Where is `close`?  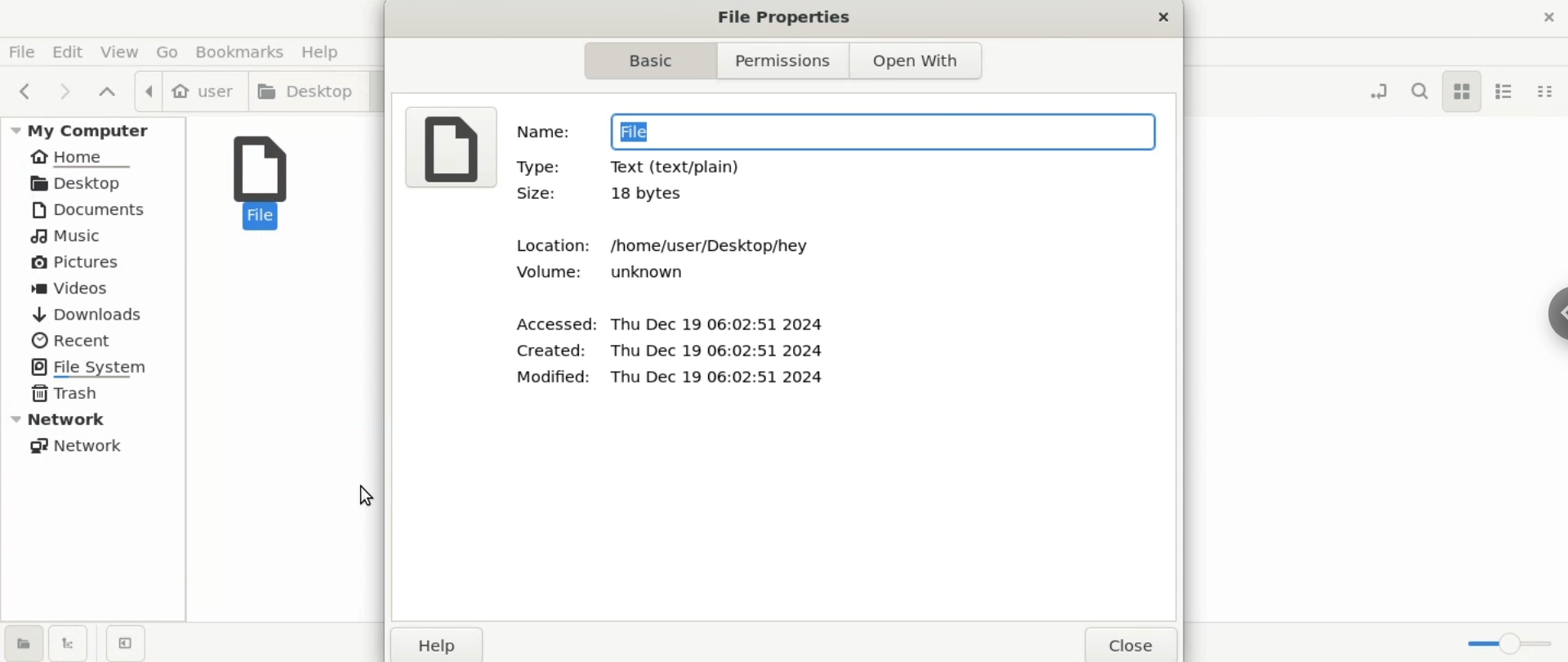 close is located at coordinates (1125, 643).